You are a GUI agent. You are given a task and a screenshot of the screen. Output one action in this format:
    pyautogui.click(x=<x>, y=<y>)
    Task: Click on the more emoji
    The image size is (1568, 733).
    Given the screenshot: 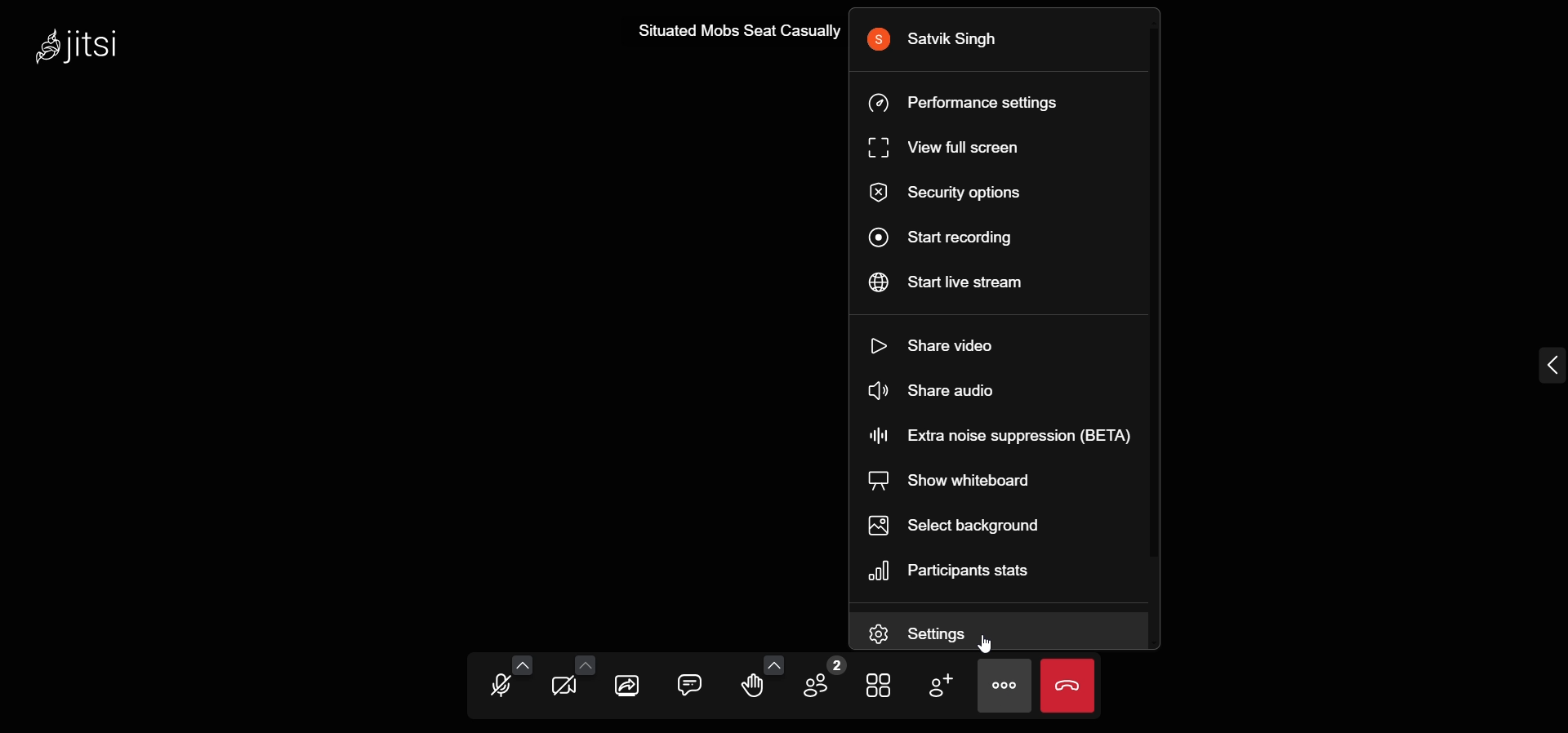 What is the action you would take?
    pyautogui.click(x=774, y=664)
    